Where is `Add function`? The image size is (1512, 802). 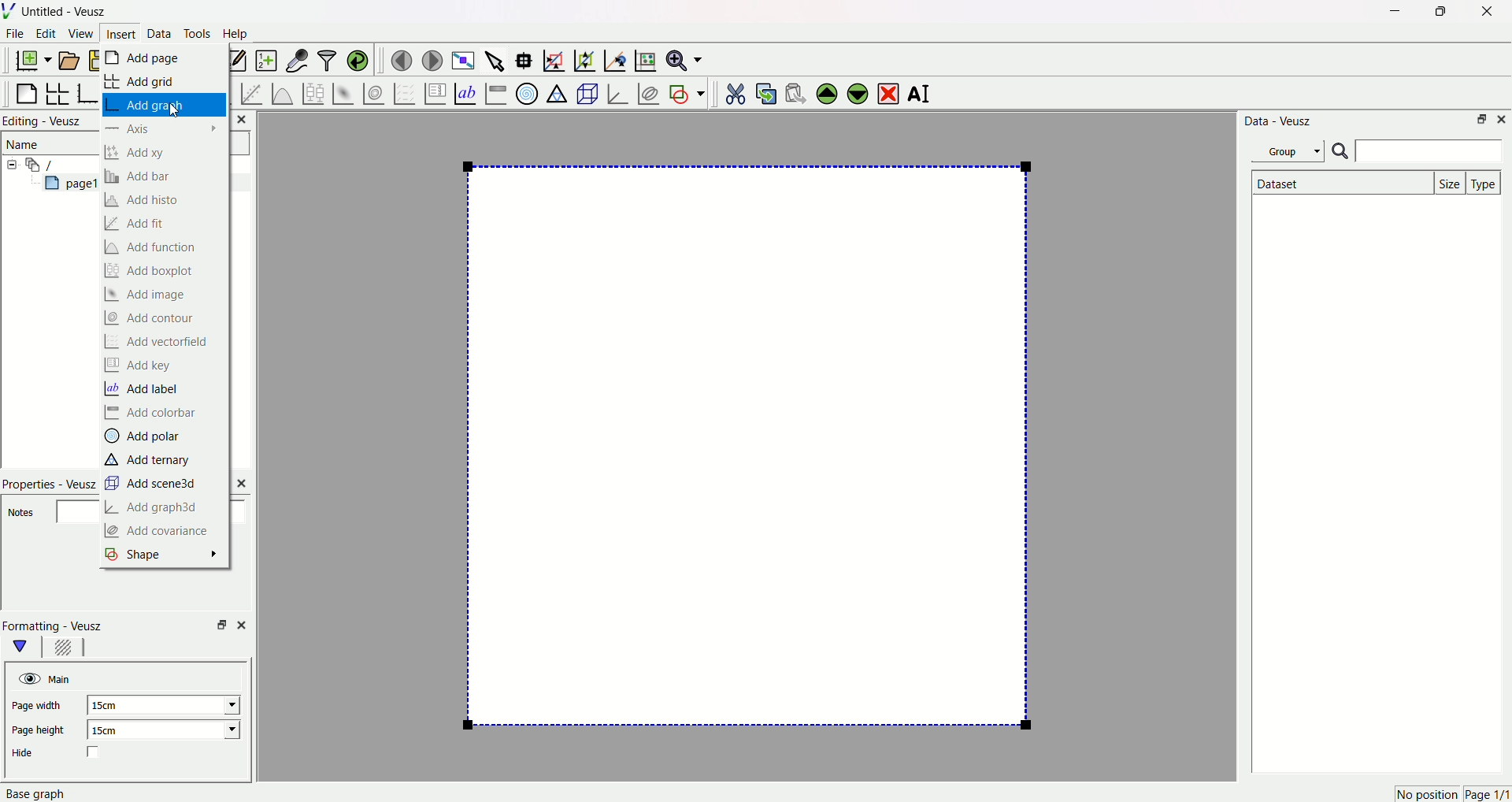
Add function is located at coordinates (159, 246).